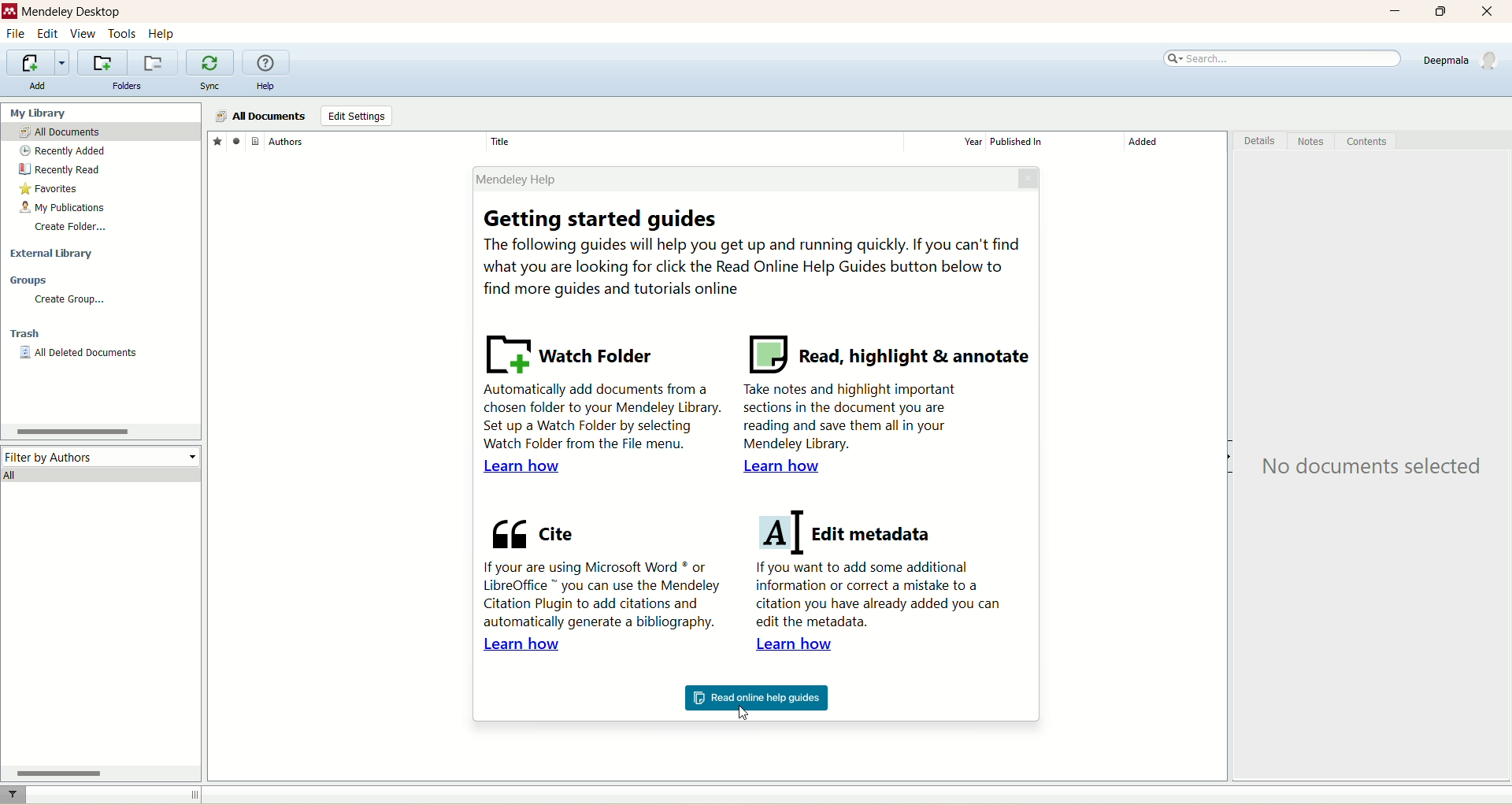 The height and width of the screenshot is (805, 1512). Describe the element at coordinates (750, 714) in the screenshot. I see `cursor` at that location.